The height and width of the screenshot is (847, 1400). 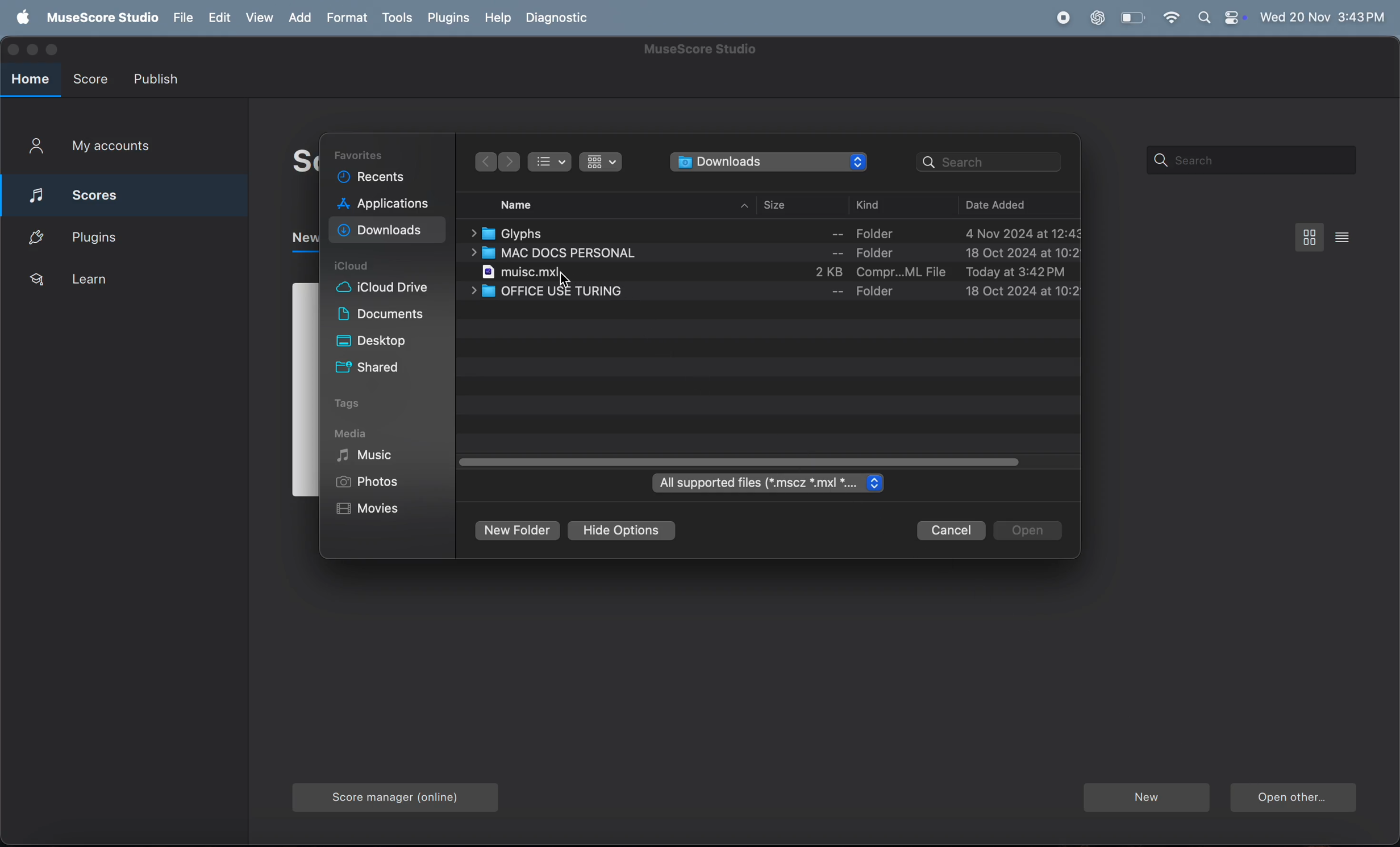 I want to click on search, so click(x=1250, y=160).